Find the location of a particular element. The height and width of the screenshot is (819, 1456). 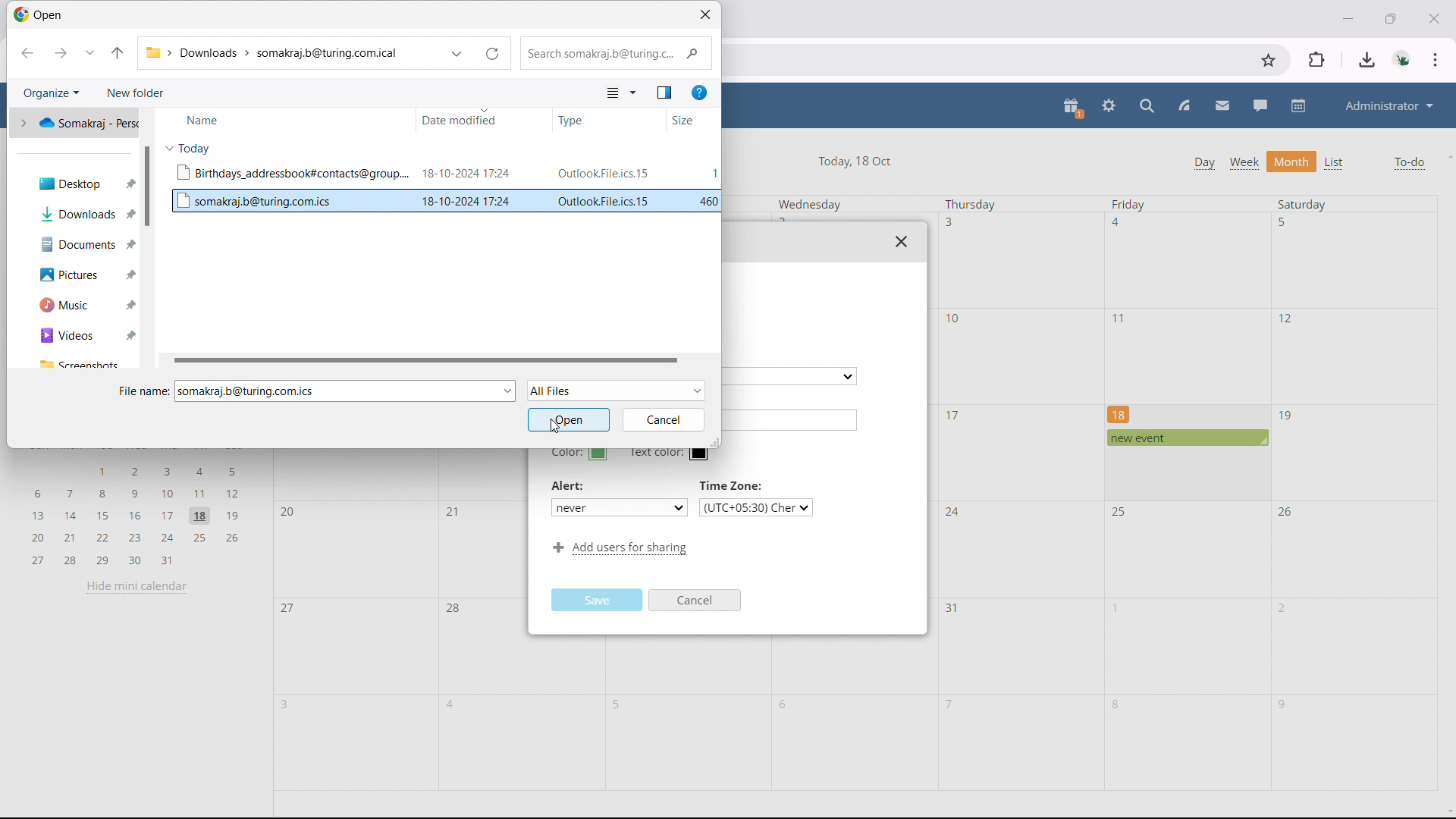

18-10-2024 17:24 is located at coordinates (466, 173).